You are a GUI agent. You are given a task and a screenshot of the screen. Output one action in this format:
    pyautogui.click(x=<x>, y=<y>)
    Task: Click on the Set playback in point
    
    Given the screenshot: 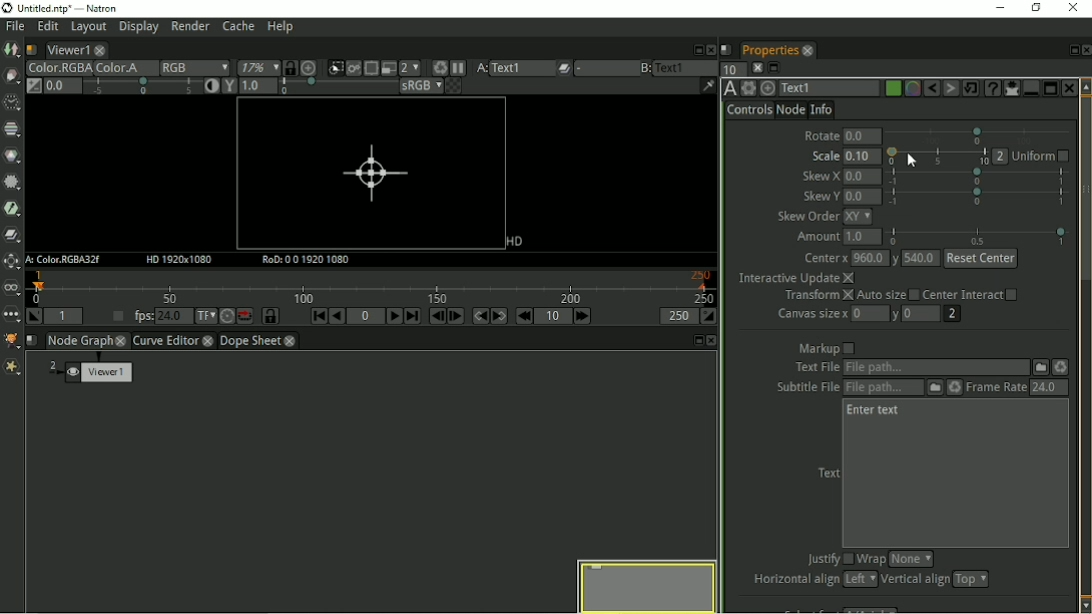 What is the action you would take?
    pyautogui.click(x=34, y=317)
    